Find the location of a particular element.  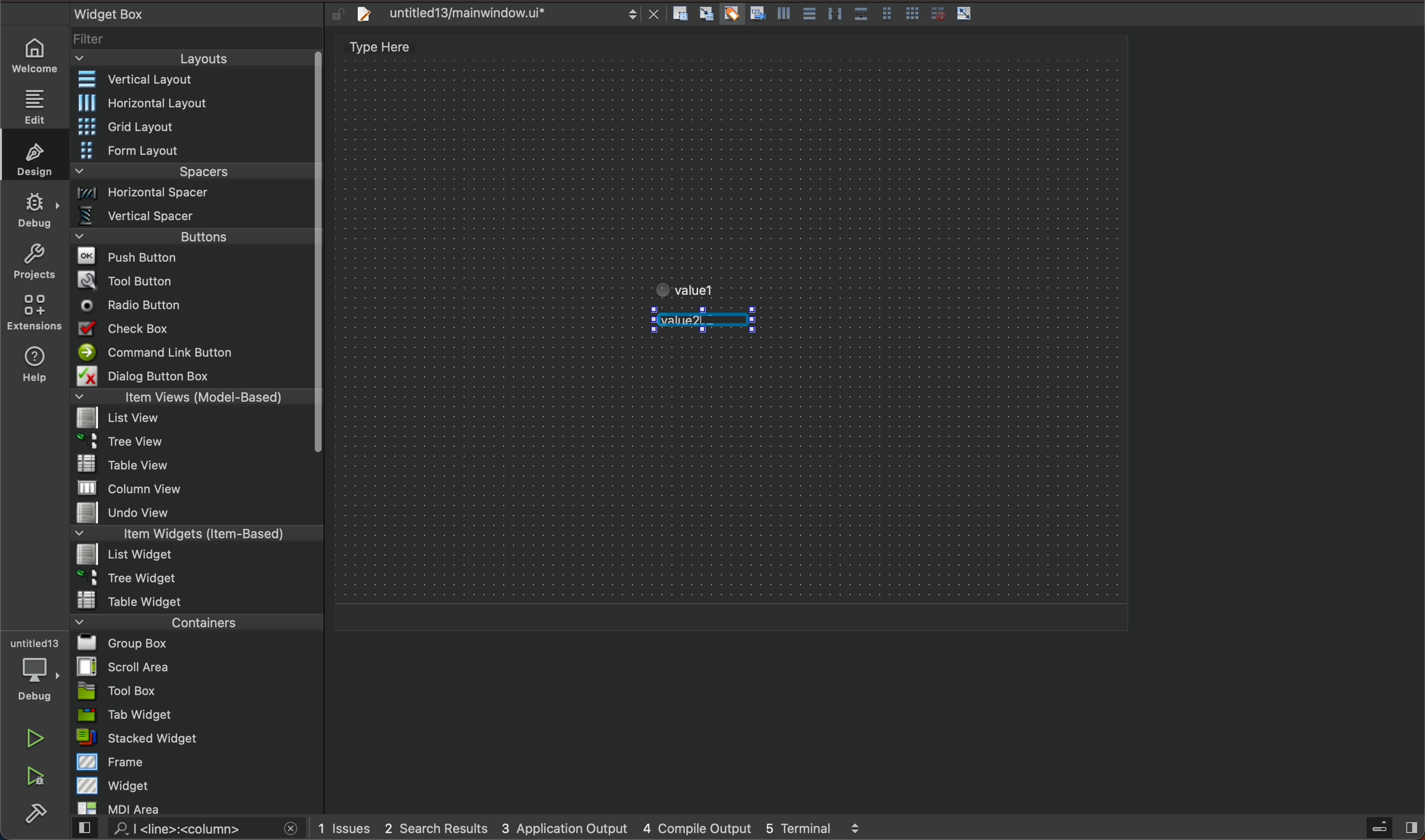

sidebar  is located at coordinates (1381, 828).